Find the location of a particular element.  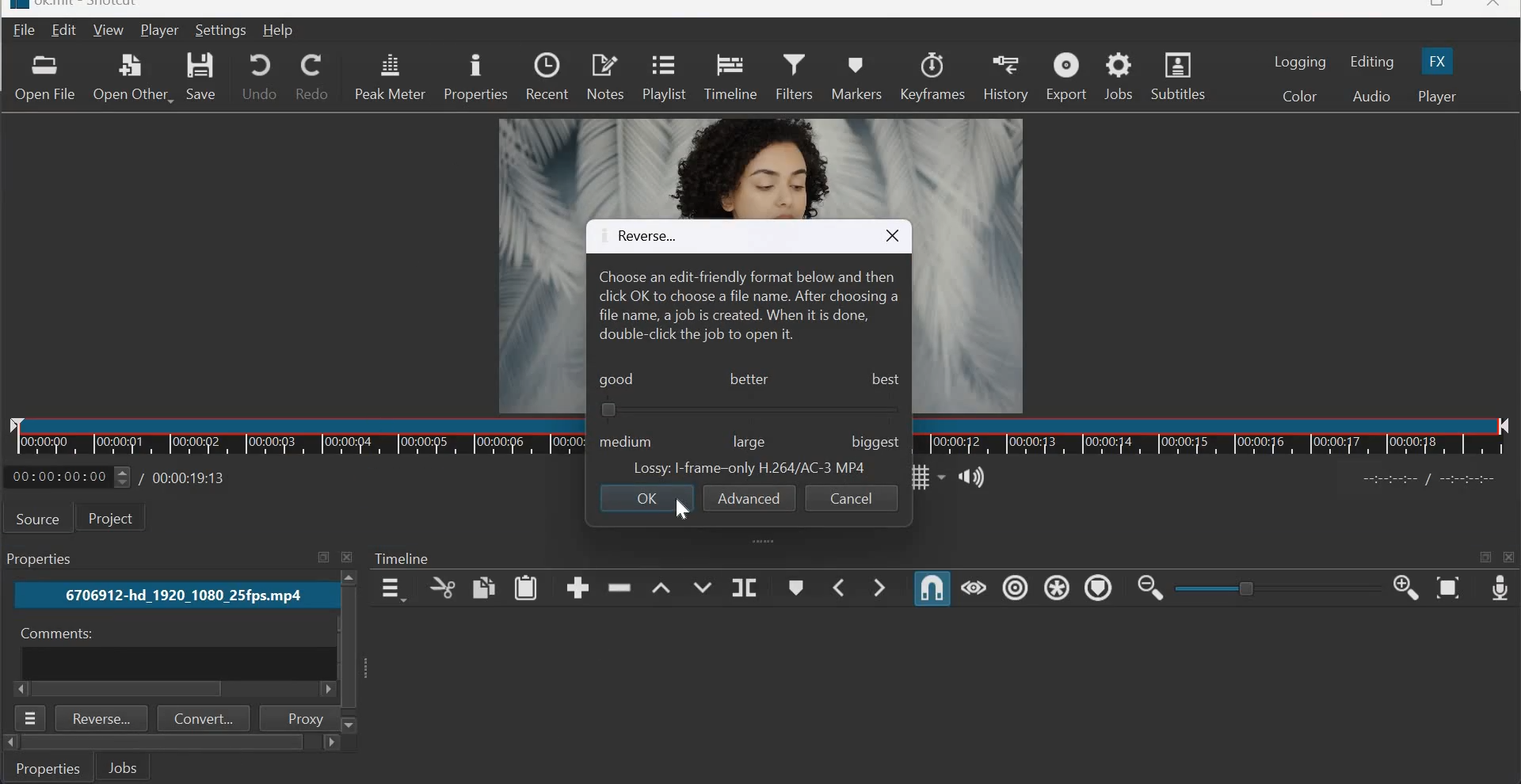

Overwrite is located at coordinates (701, 584).